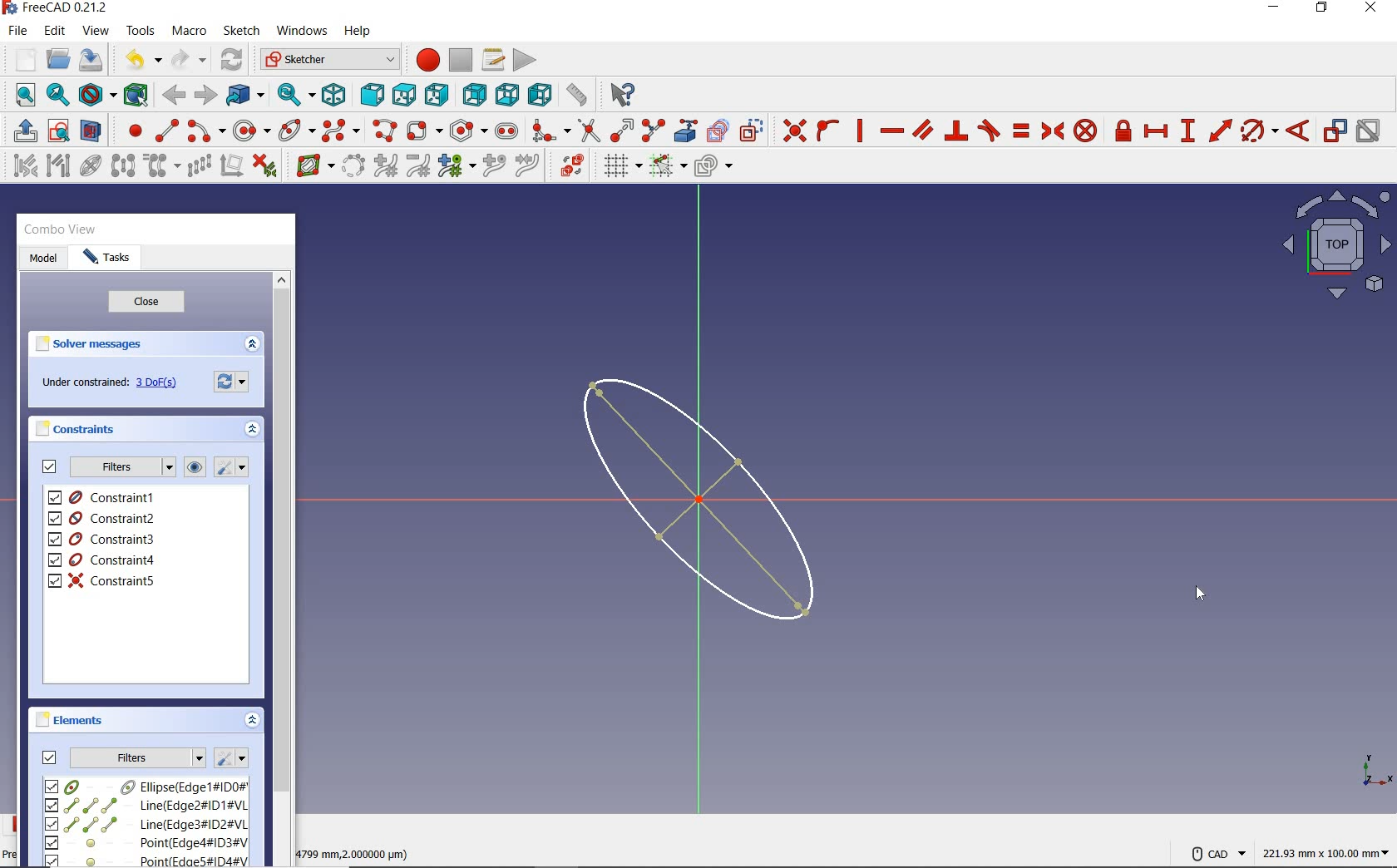 The width and height of the screenshot is (1397, 868). What do you see at coordinates (505, 130) in the screenshot?
I see `create slot` at bounding box center [505, 130].